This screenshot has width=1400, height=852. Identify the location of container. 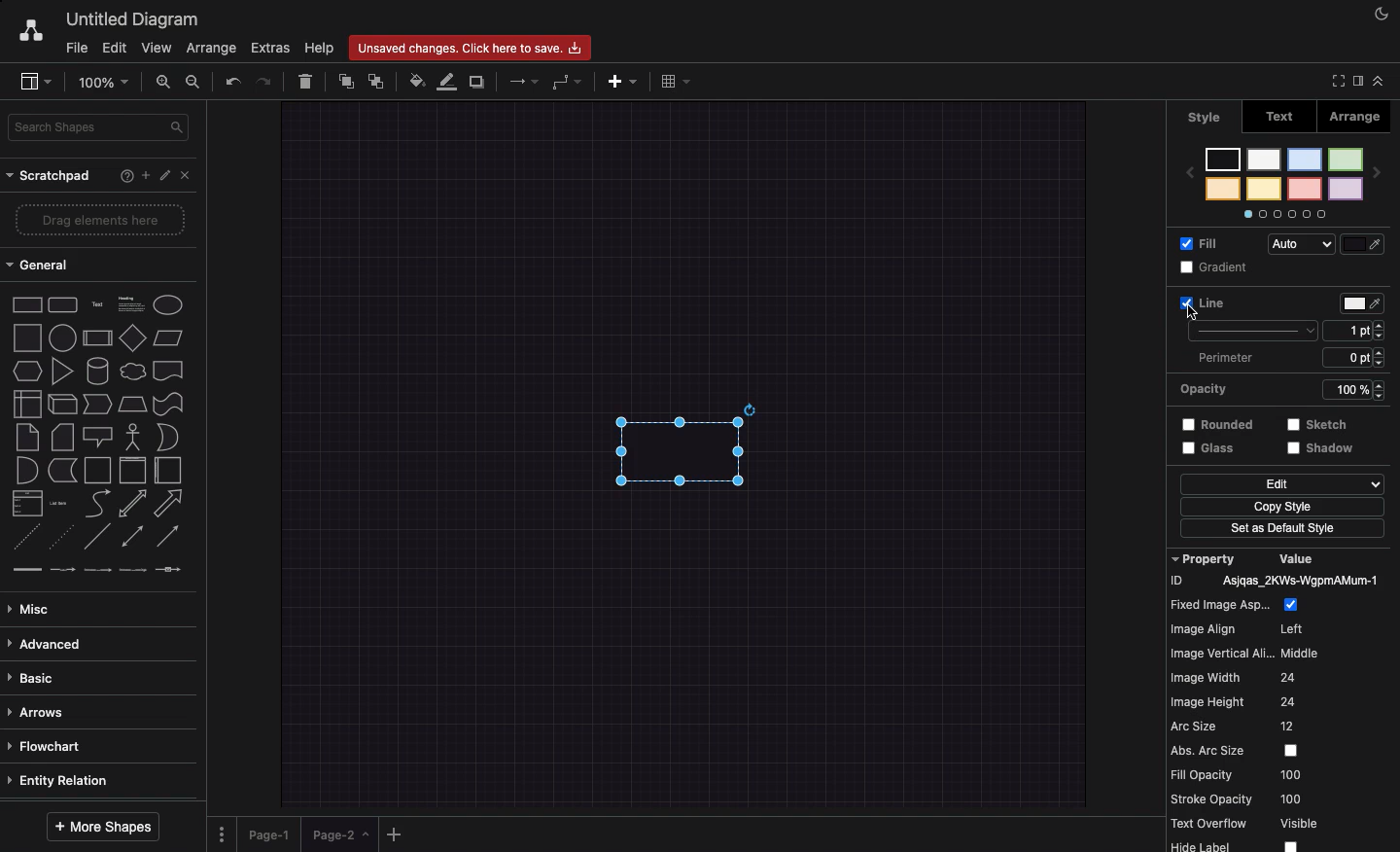
(96, 469).